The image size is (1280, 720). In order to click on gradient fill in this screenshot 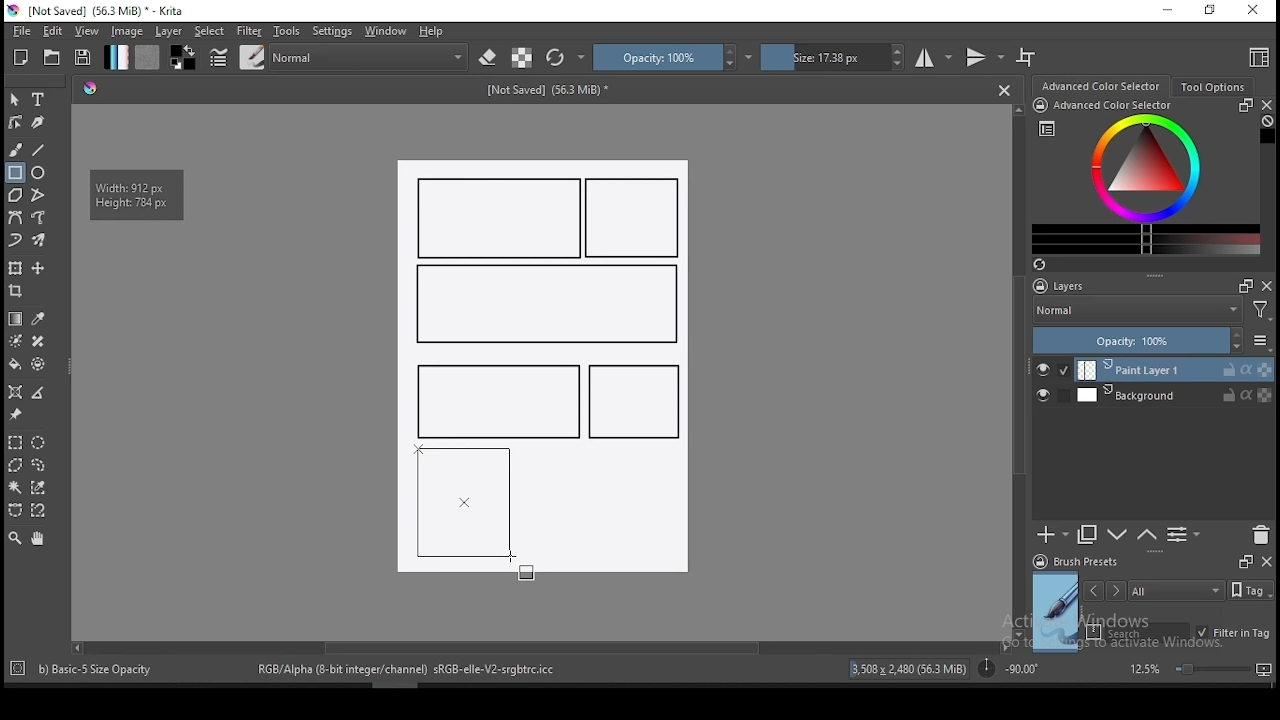, I will do `click(116, 57)`.